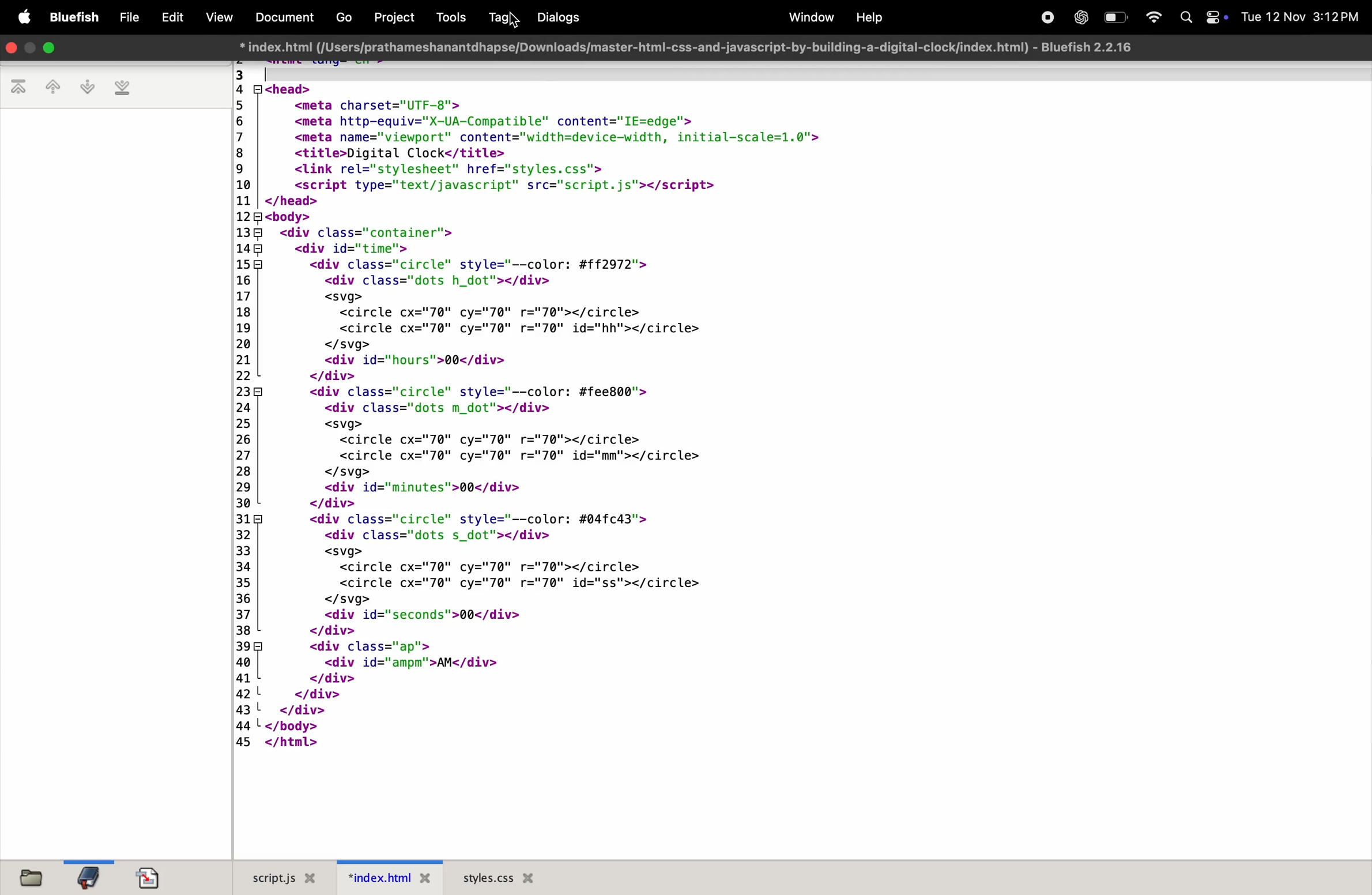  What do you see at coordinates (277, 878) in the screenshot?
I see `script.js` at bounding box center [277, 878].